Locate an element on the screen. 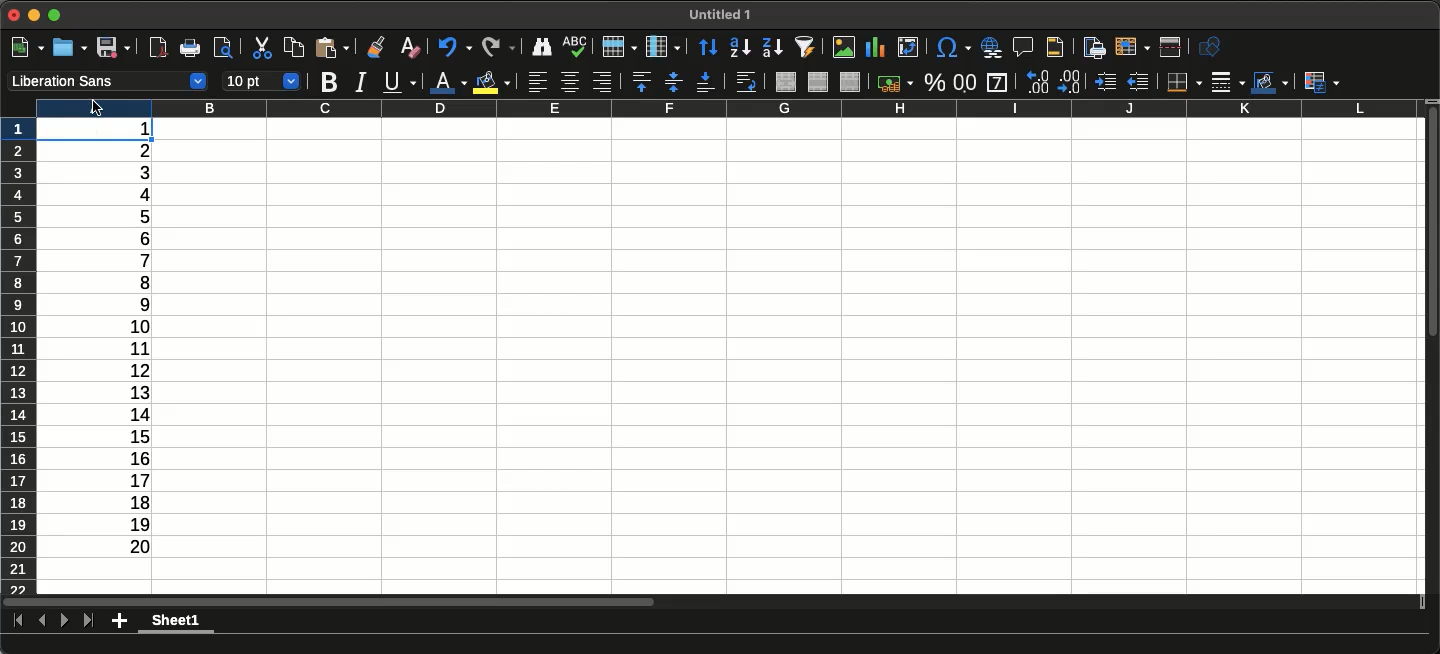 The height and width of the screenshot is (654, 1440). Borders is located at coordinates (1181, 83).